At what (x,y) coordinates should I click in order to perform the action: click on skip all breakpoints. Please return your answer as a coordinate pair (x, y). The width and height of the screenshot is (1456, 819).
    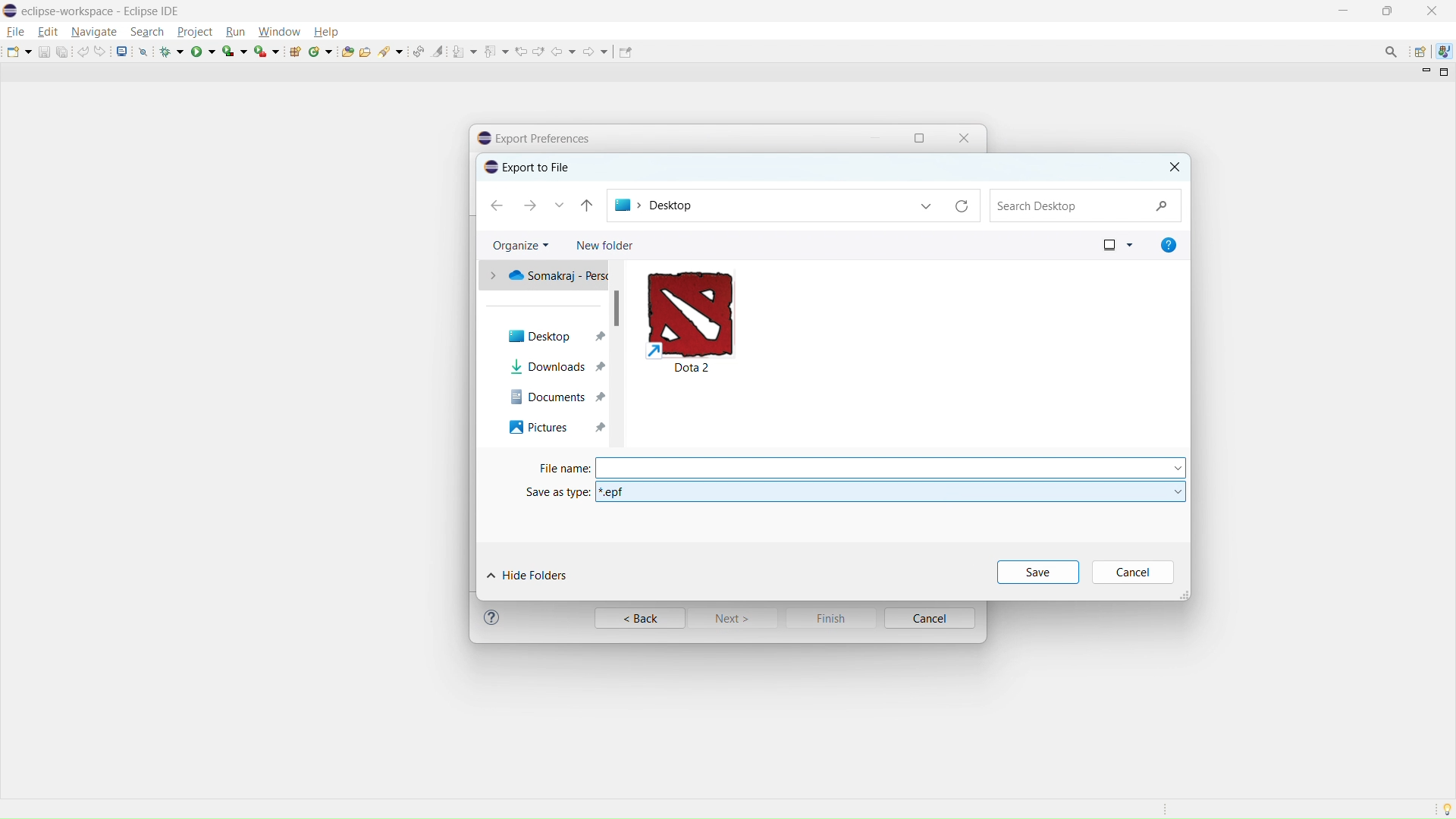
    Looking at the image, I should click on (143, 51).